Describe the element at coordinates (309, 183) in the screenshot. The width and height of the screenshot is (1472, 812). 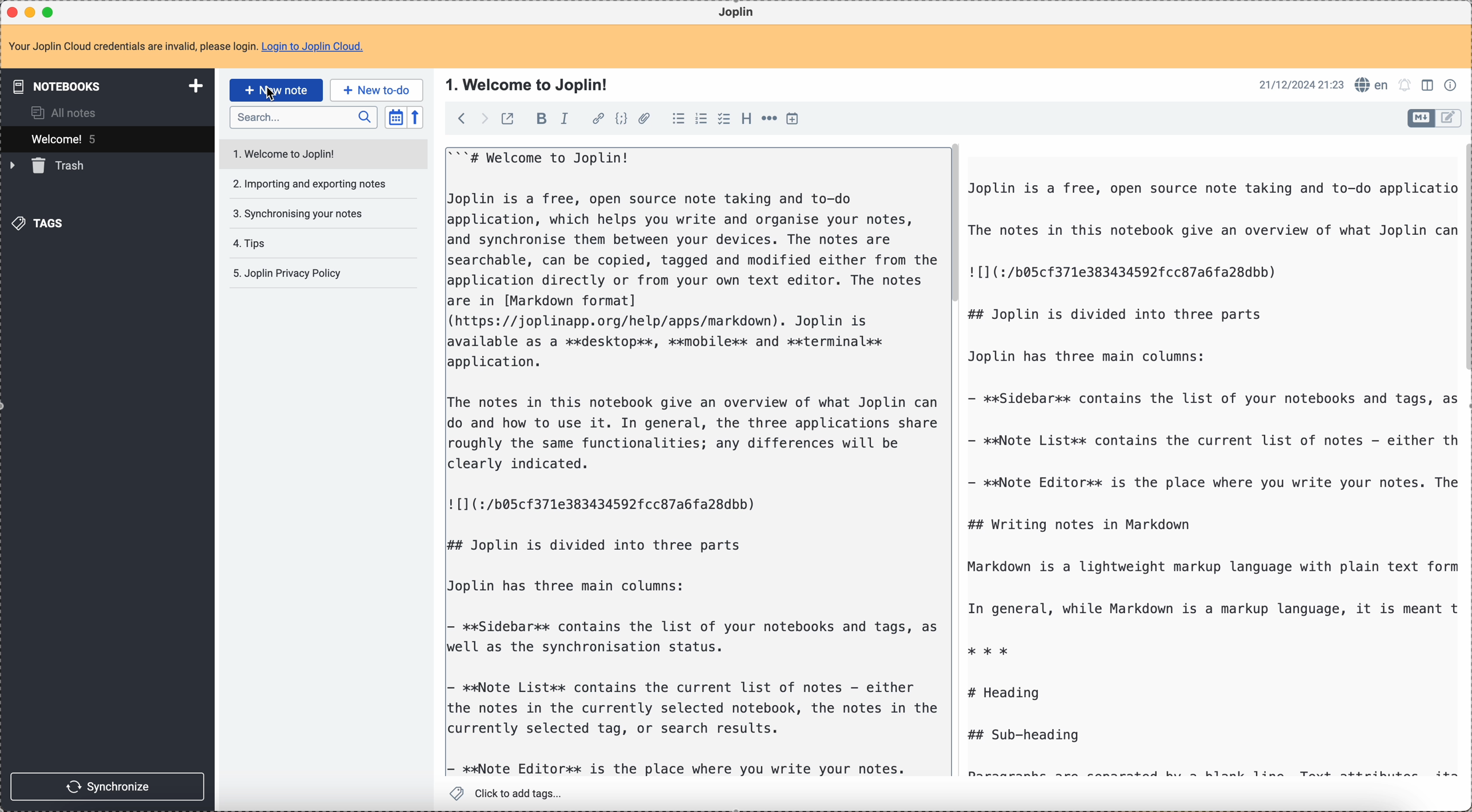
I see `importing and exporting notes` at that location.